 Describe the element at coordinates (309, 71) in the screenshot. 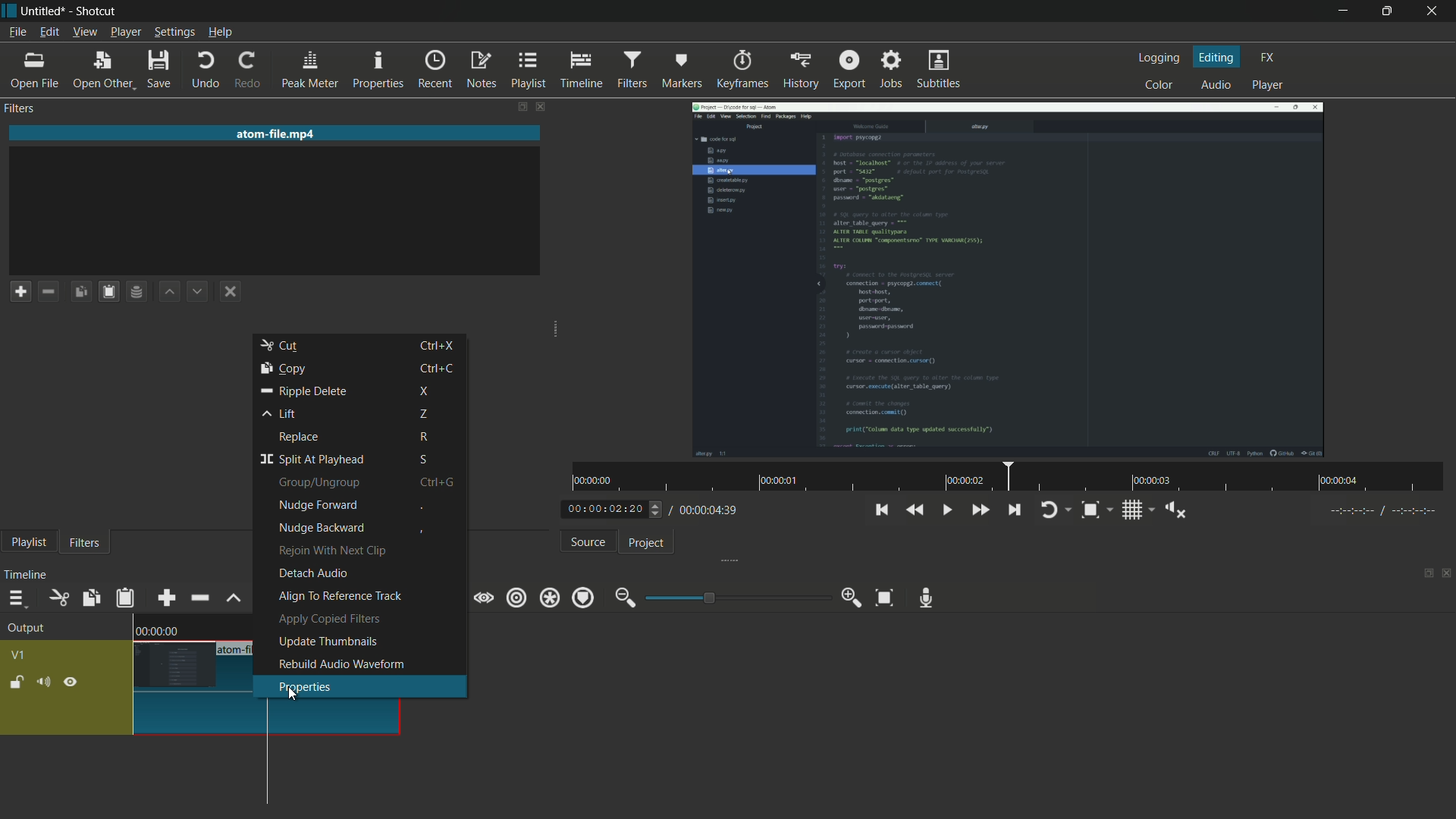

I see `peak meter` at that location.